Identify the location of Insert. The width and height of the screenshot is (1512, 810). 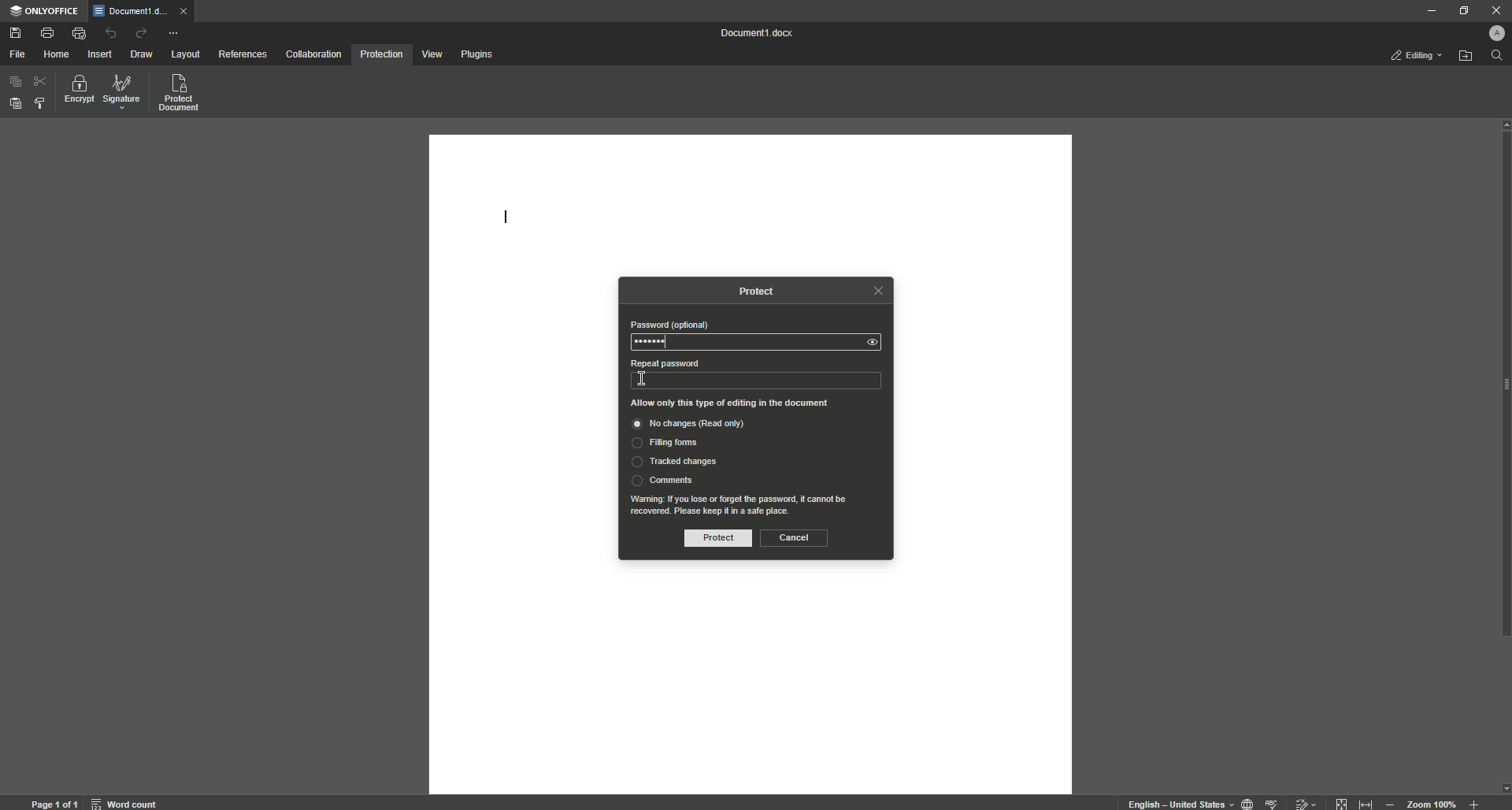
(101, 54).